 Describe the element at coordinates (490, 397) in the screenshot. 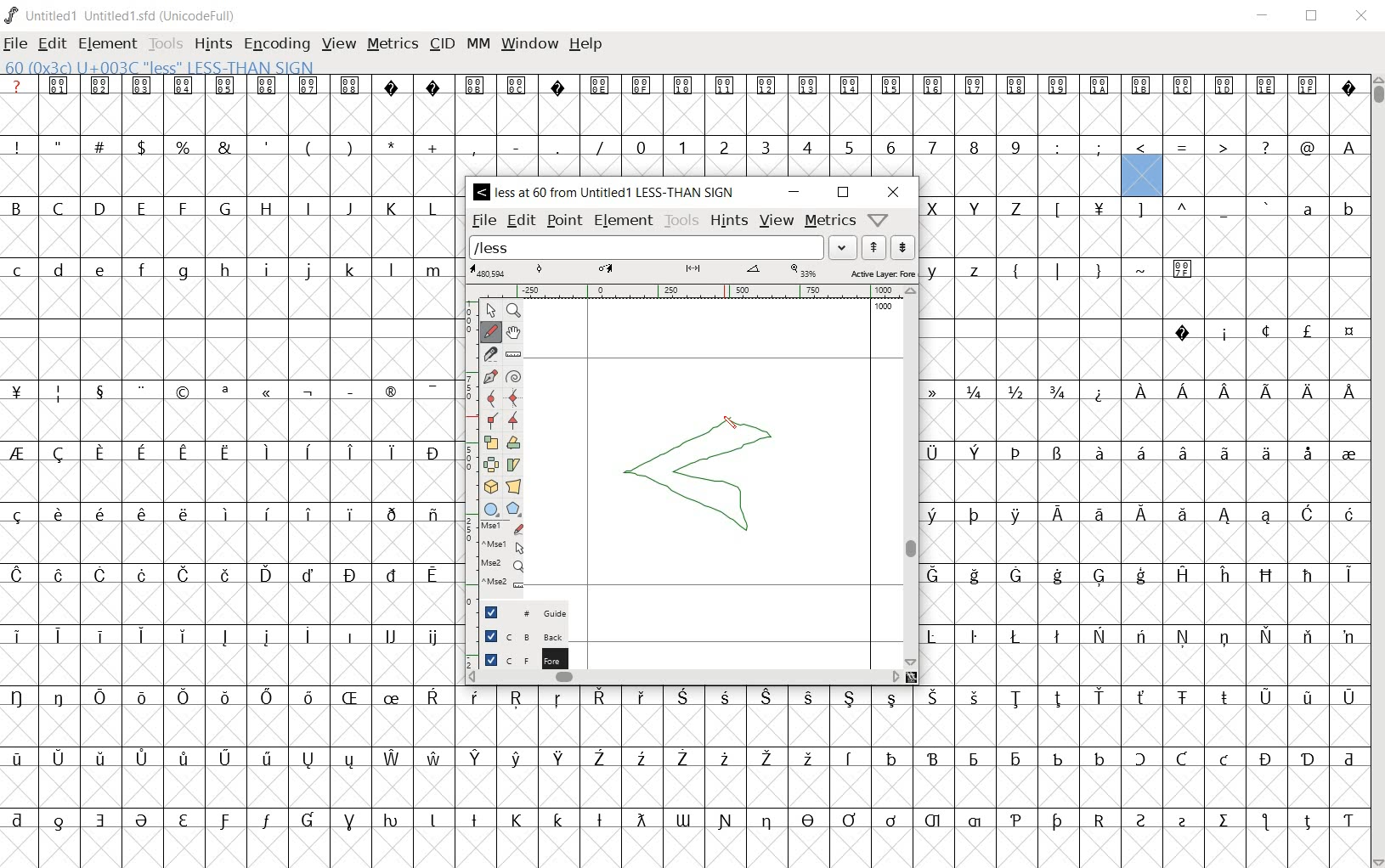

I see `add a curve point` at that location.